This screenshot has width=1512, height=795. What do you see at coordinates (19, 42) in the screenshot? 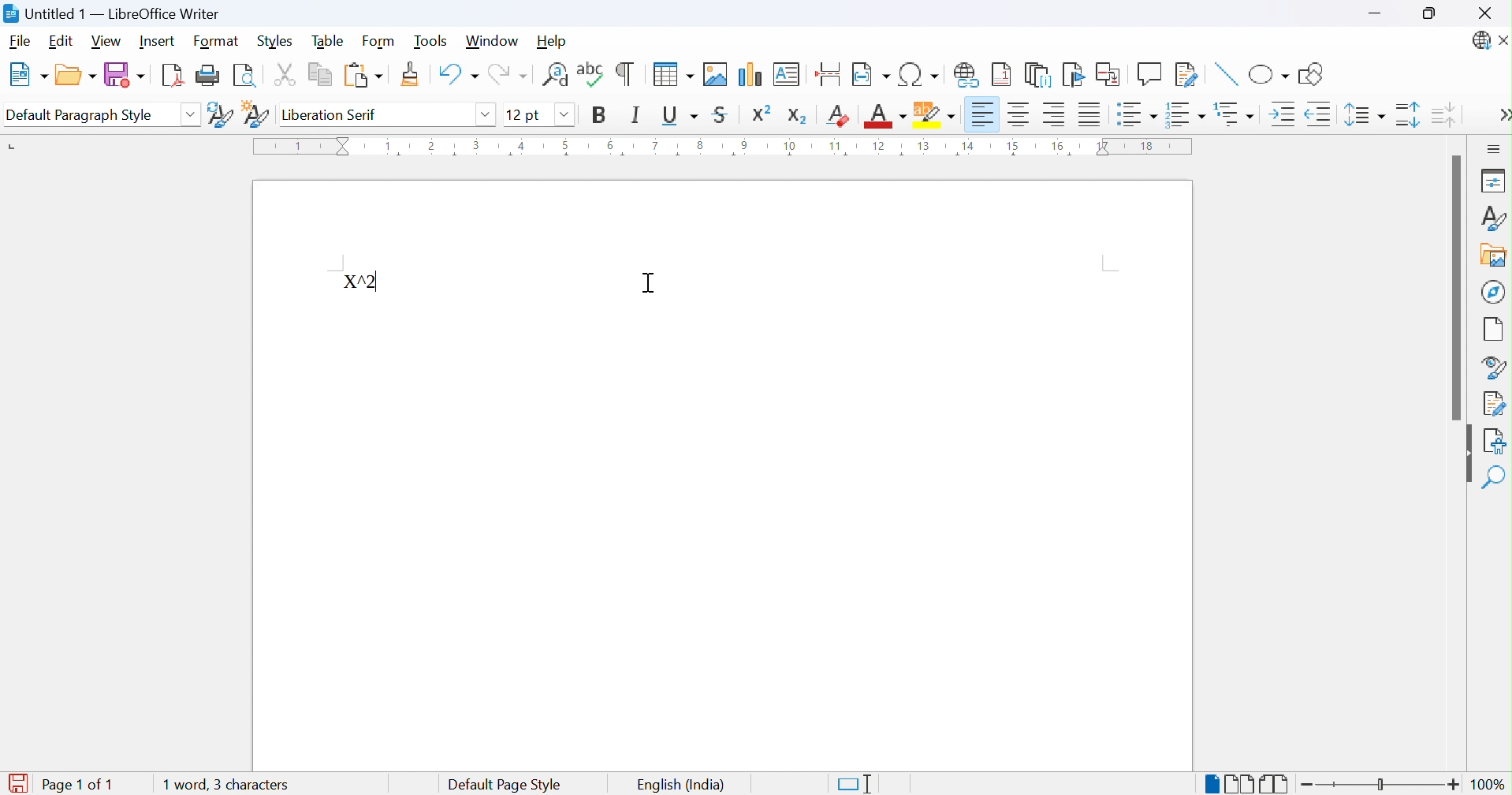
I see `File` at bounding box center [19, 42].